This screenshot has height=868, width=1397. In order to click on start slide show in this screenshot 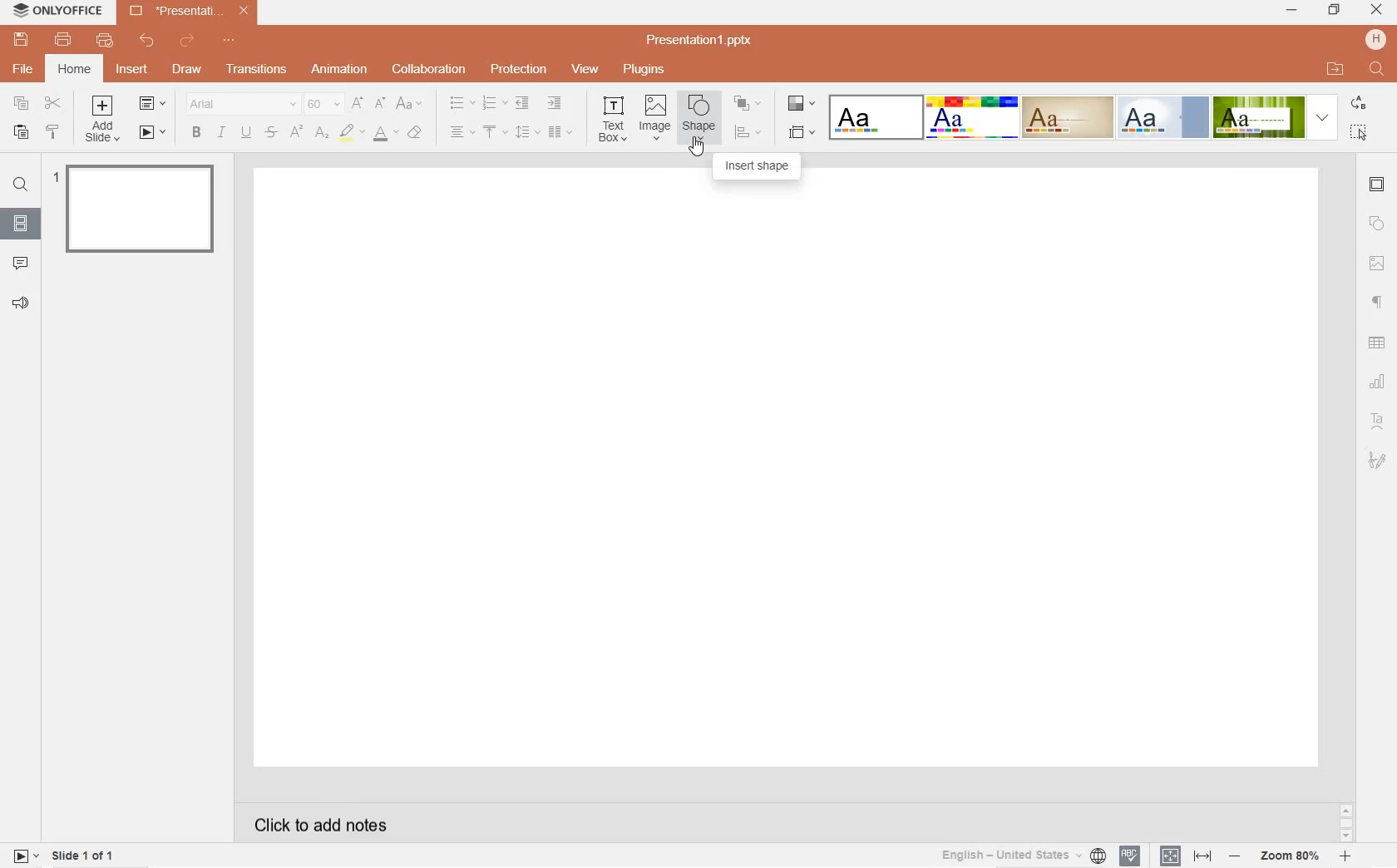, I will do `click(153, 133)`.